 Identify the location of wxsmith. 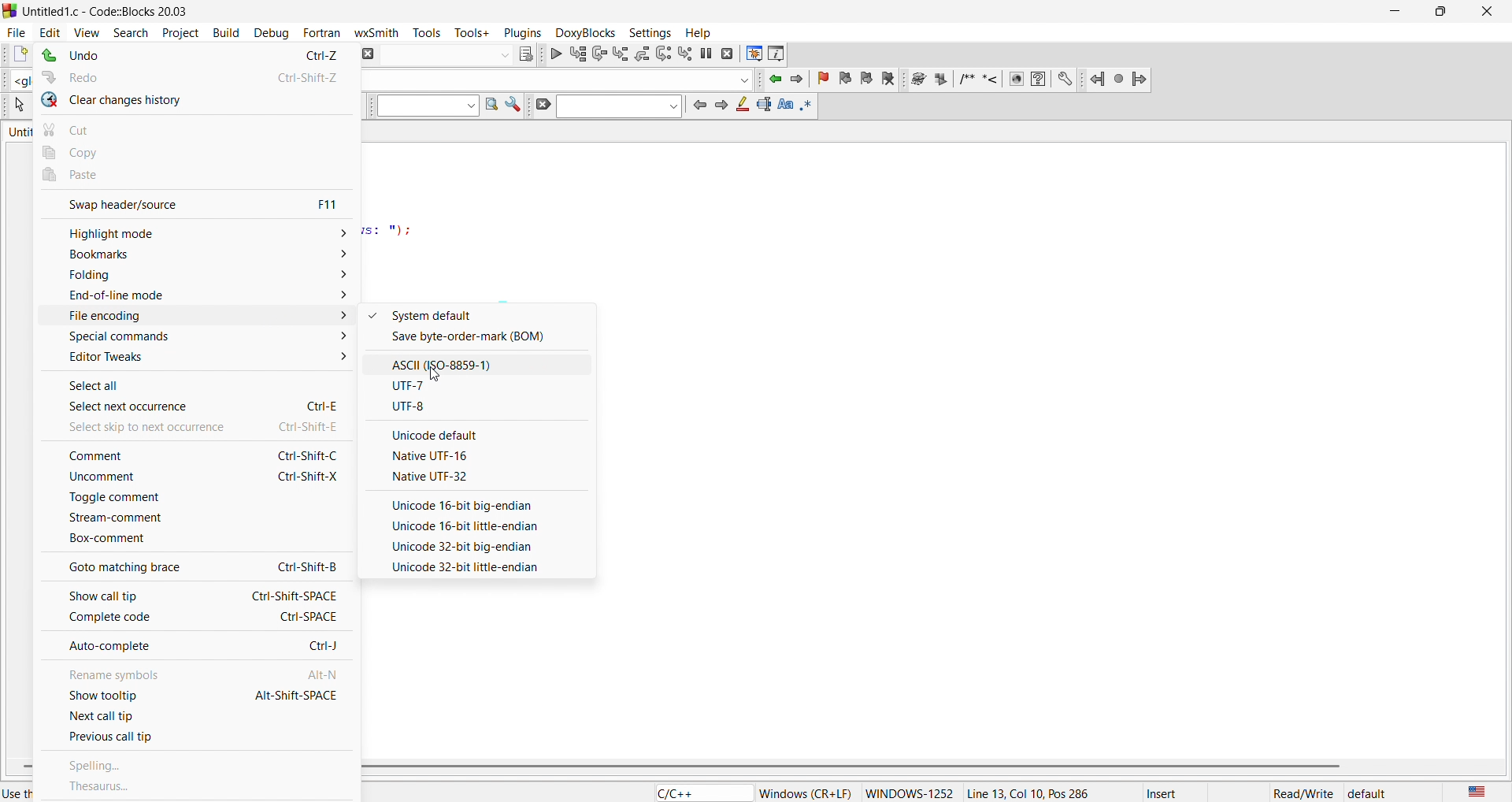
(375, 32).